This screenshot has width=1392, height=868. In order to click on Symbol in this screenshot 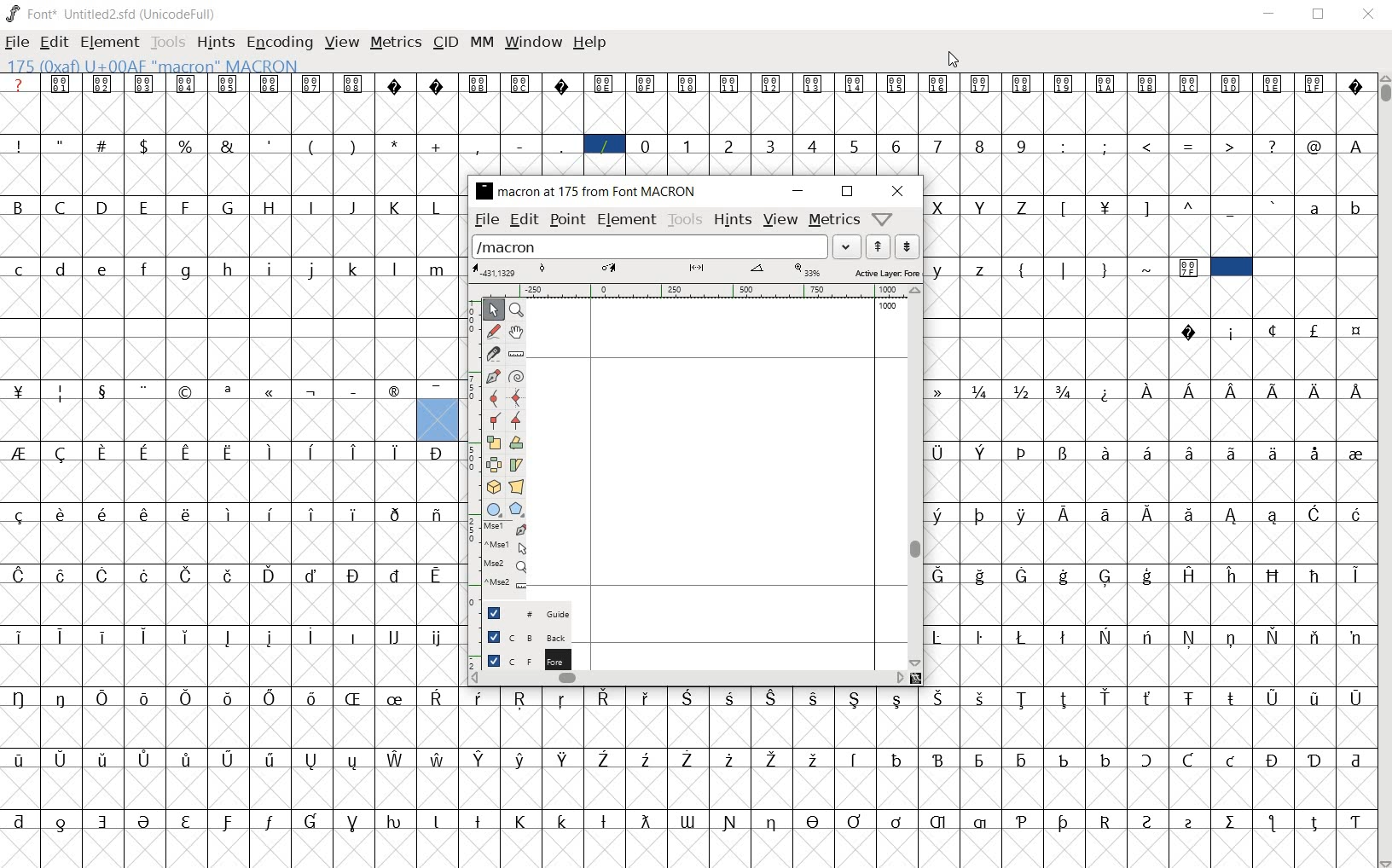, I will do `click(312, 84)`.